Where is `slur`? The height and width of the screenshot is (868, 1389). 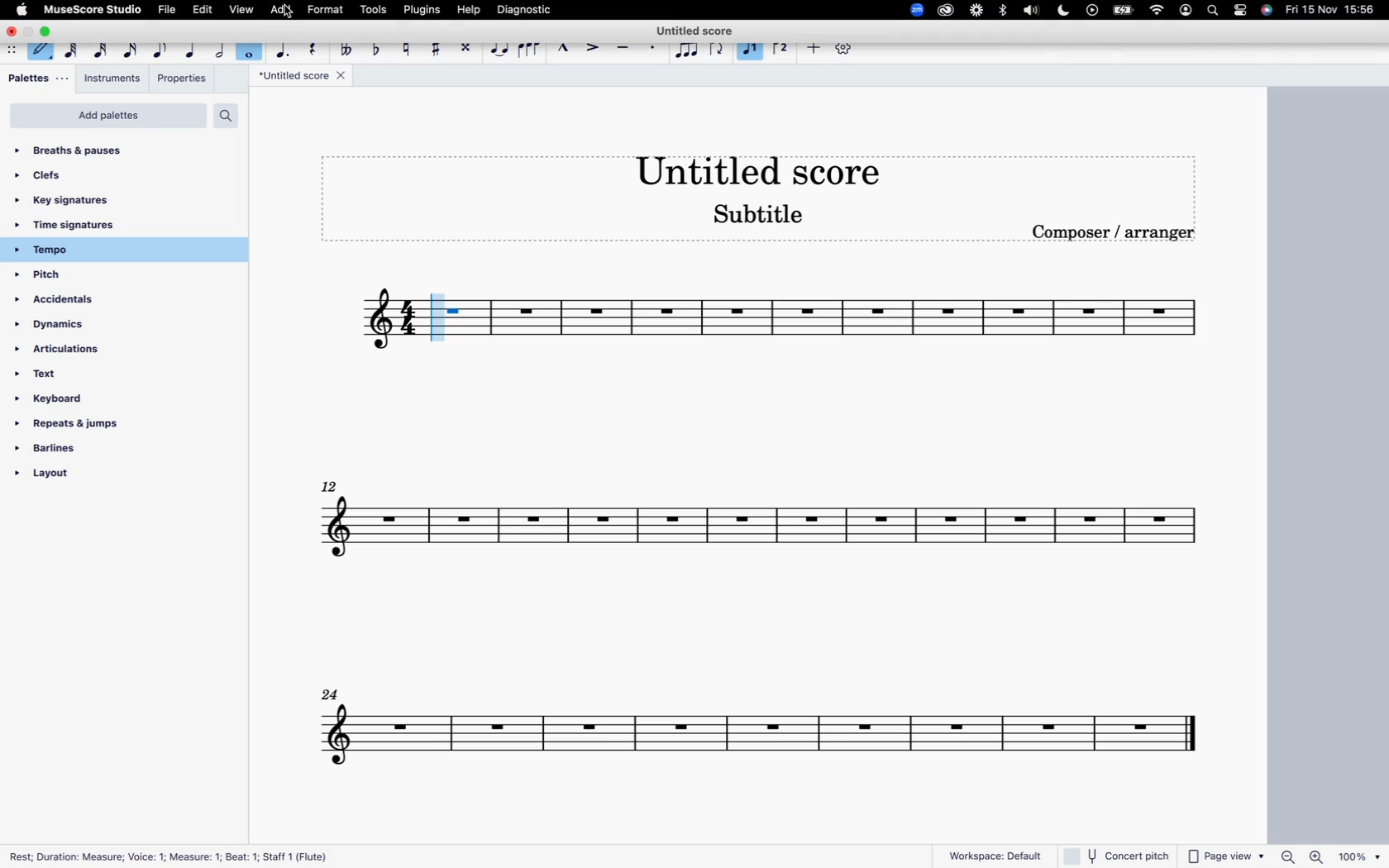 slur is located at coordinates (529, 48).